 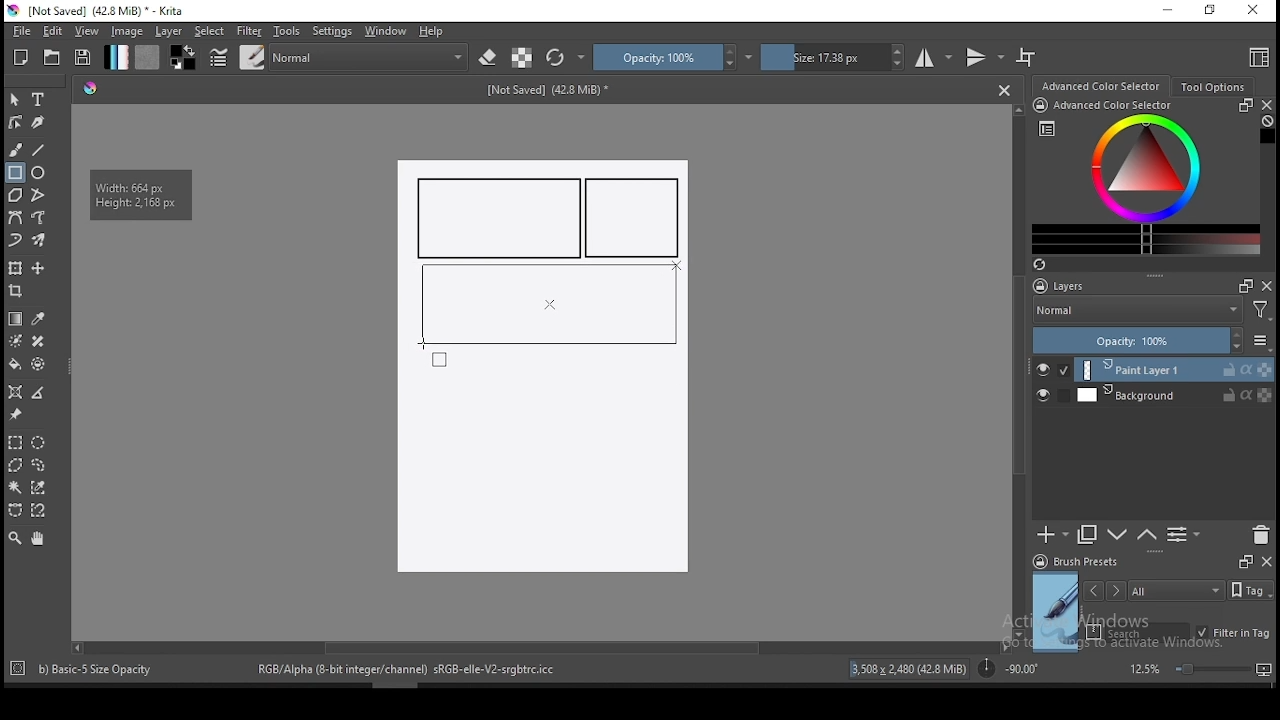 I want to click on transform a layer or a selection, so click(x=15, y=267).